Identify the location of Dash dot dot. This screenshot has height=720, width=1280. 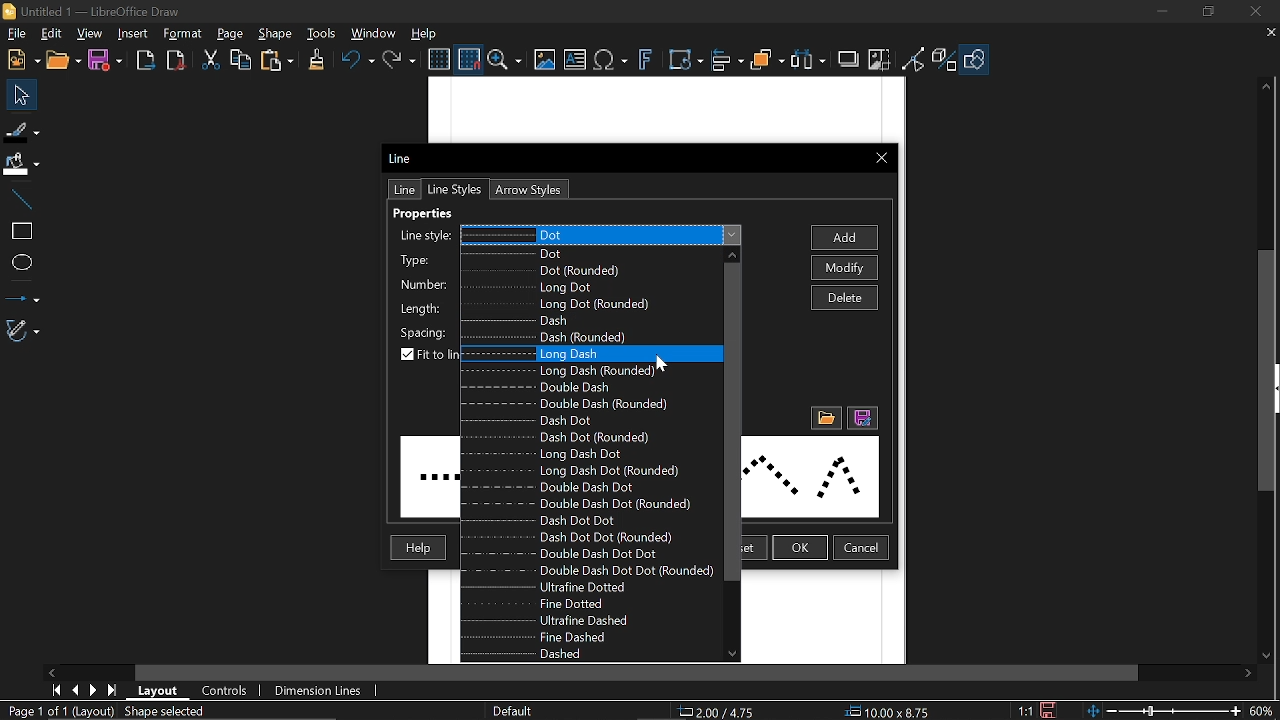
(579, 520).